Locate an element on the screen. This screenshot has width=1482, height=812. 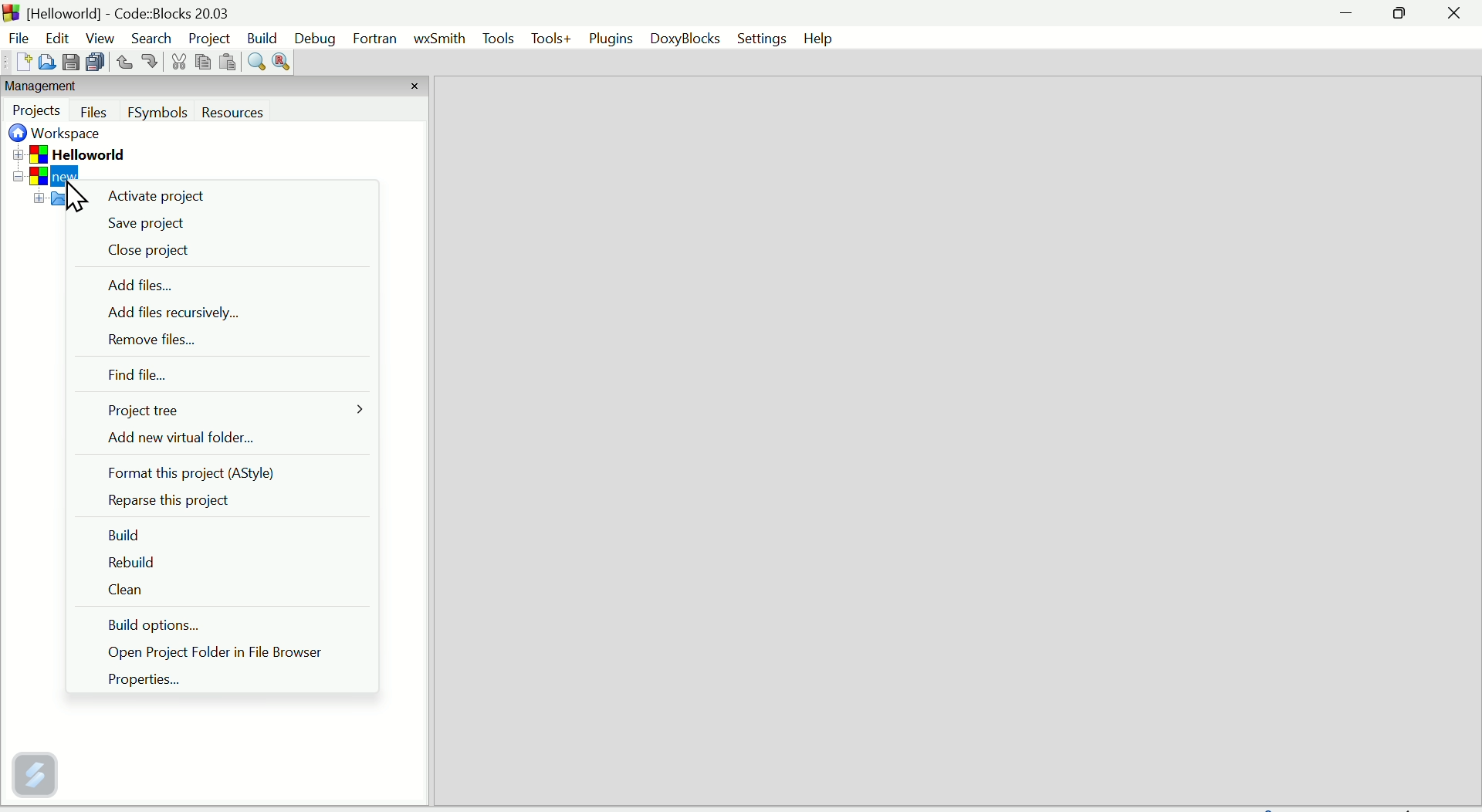
Workplace is located at coordinates (60, 135).